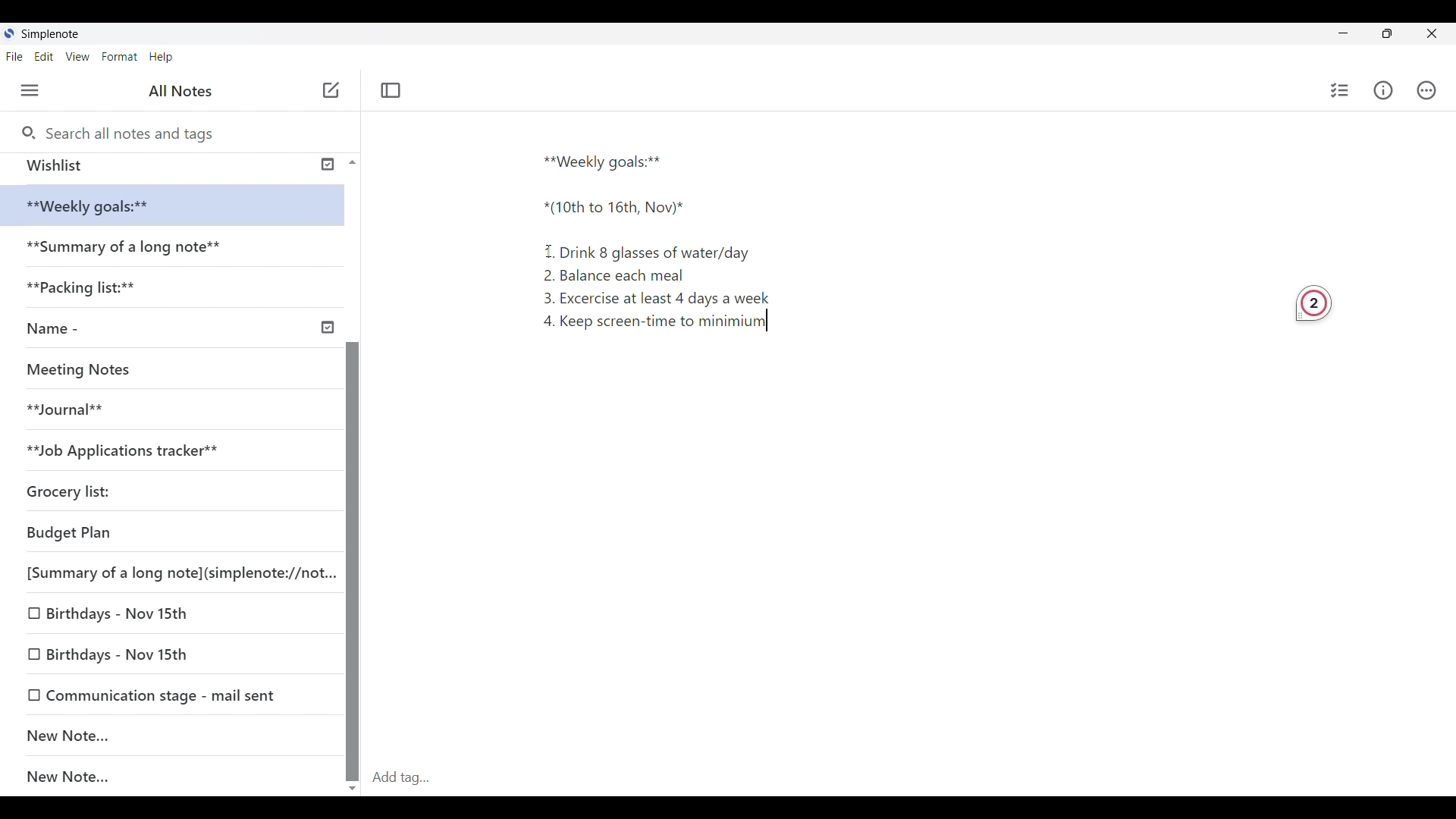 This screenshot has width=1456, height=819. Describe the element at coordinates (663, 298) in the screenshot. I see `3. Excercise at least 4 days a week` at that location.